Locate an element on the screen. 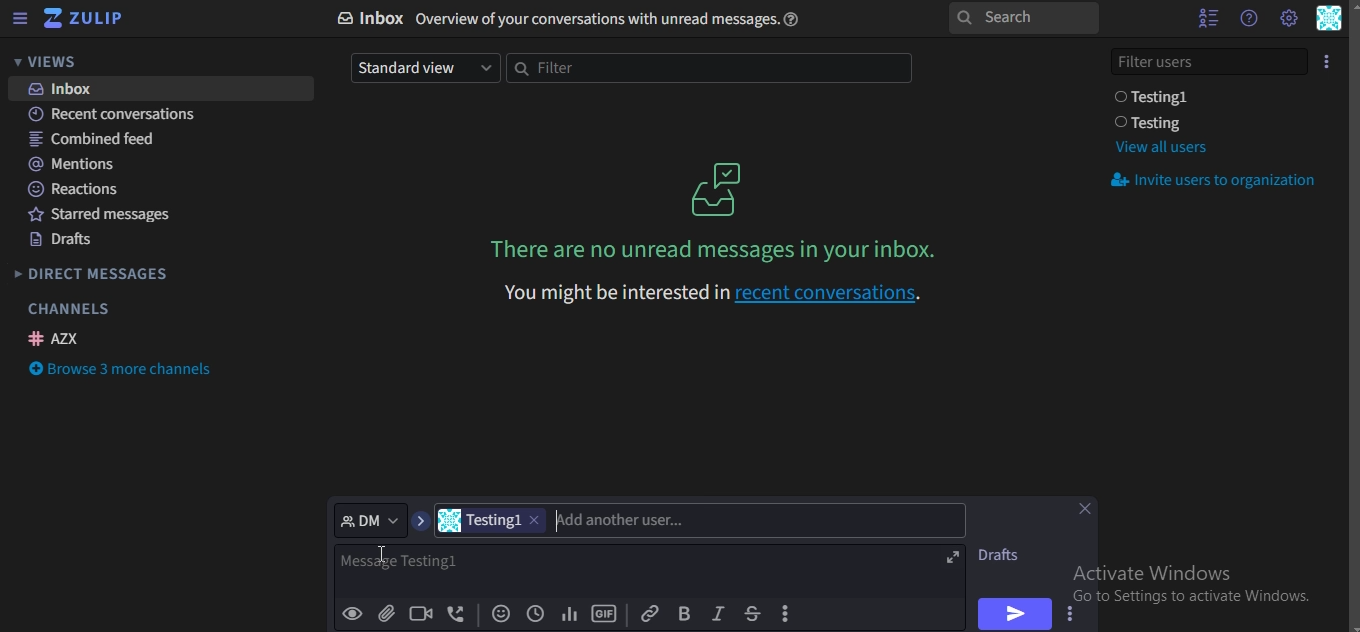 This screenshot has height=632, width=1360. main menu is located at coordinates (1288, 18).